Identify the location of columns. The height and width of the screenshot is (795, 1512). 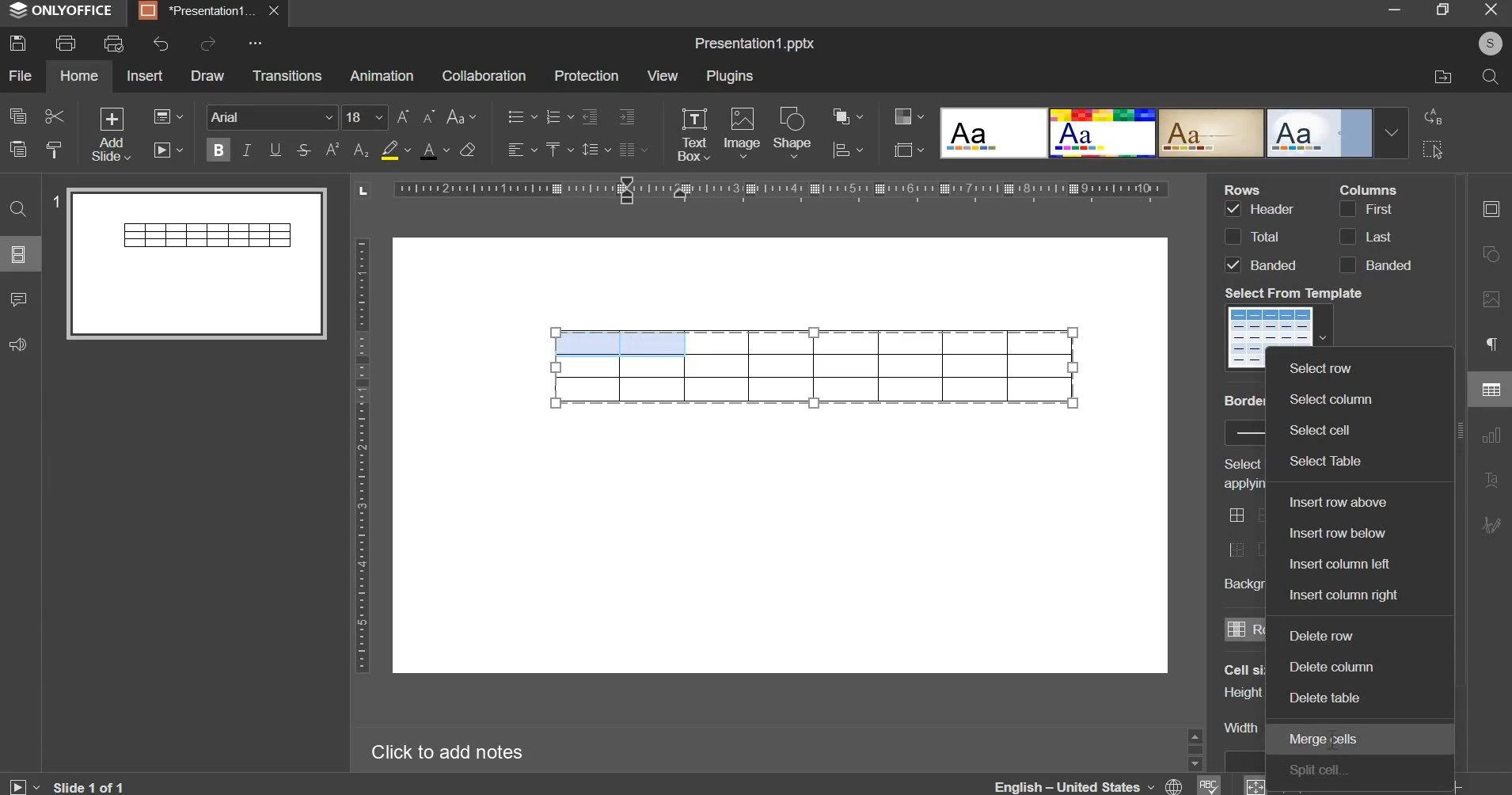
(1373, 236).